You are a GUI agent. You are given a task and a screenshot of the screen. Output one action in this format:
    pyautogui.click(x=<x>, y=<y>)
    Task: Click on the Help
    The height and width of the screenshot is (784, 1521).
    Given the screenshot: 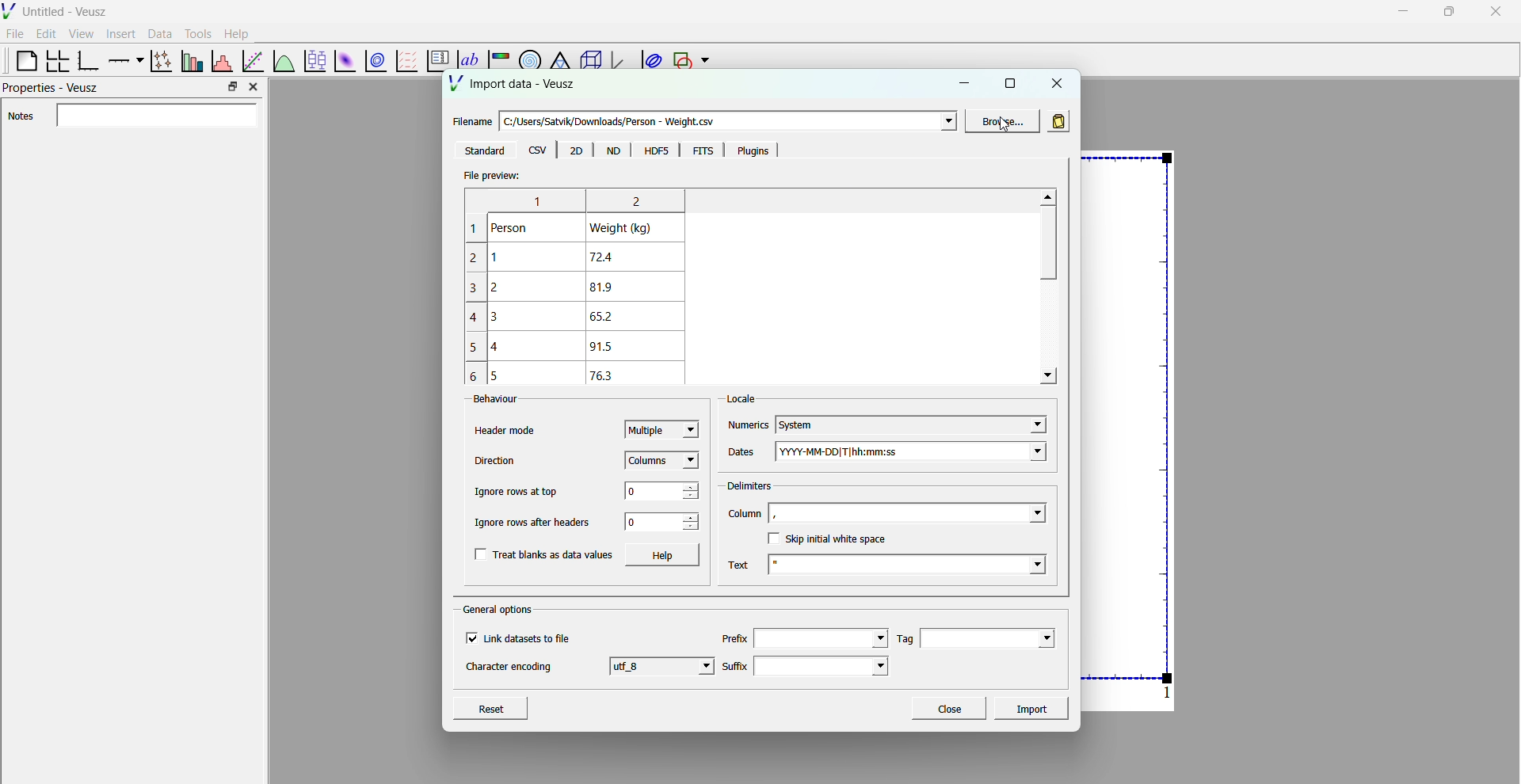 What is the action you would take?
    pyautogui.click(x=665, y=555)
    